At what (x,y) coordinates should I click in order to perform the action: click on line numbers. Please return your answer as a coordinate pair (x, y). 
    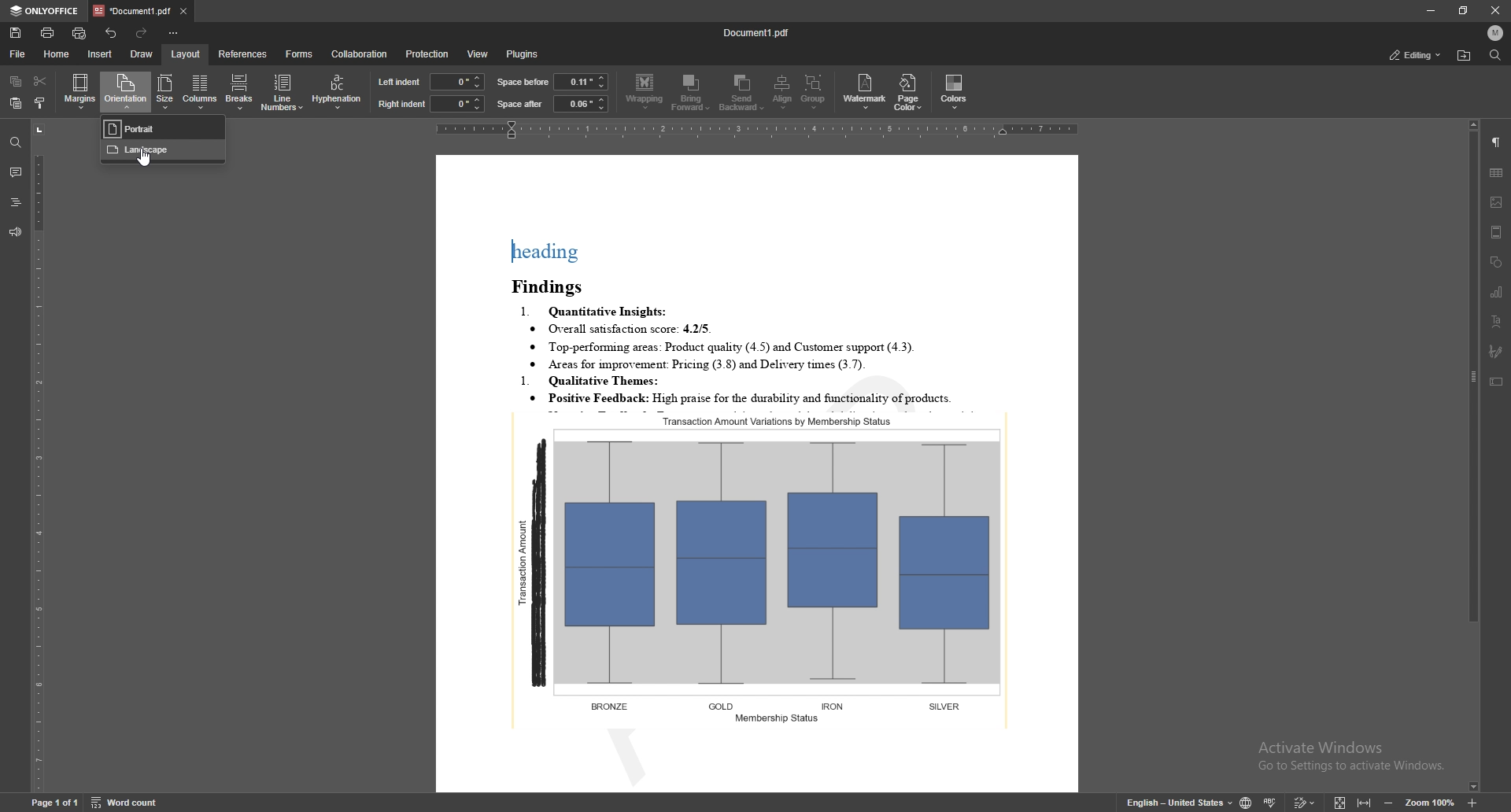
    Looking at the image, I should click on (283, 92).